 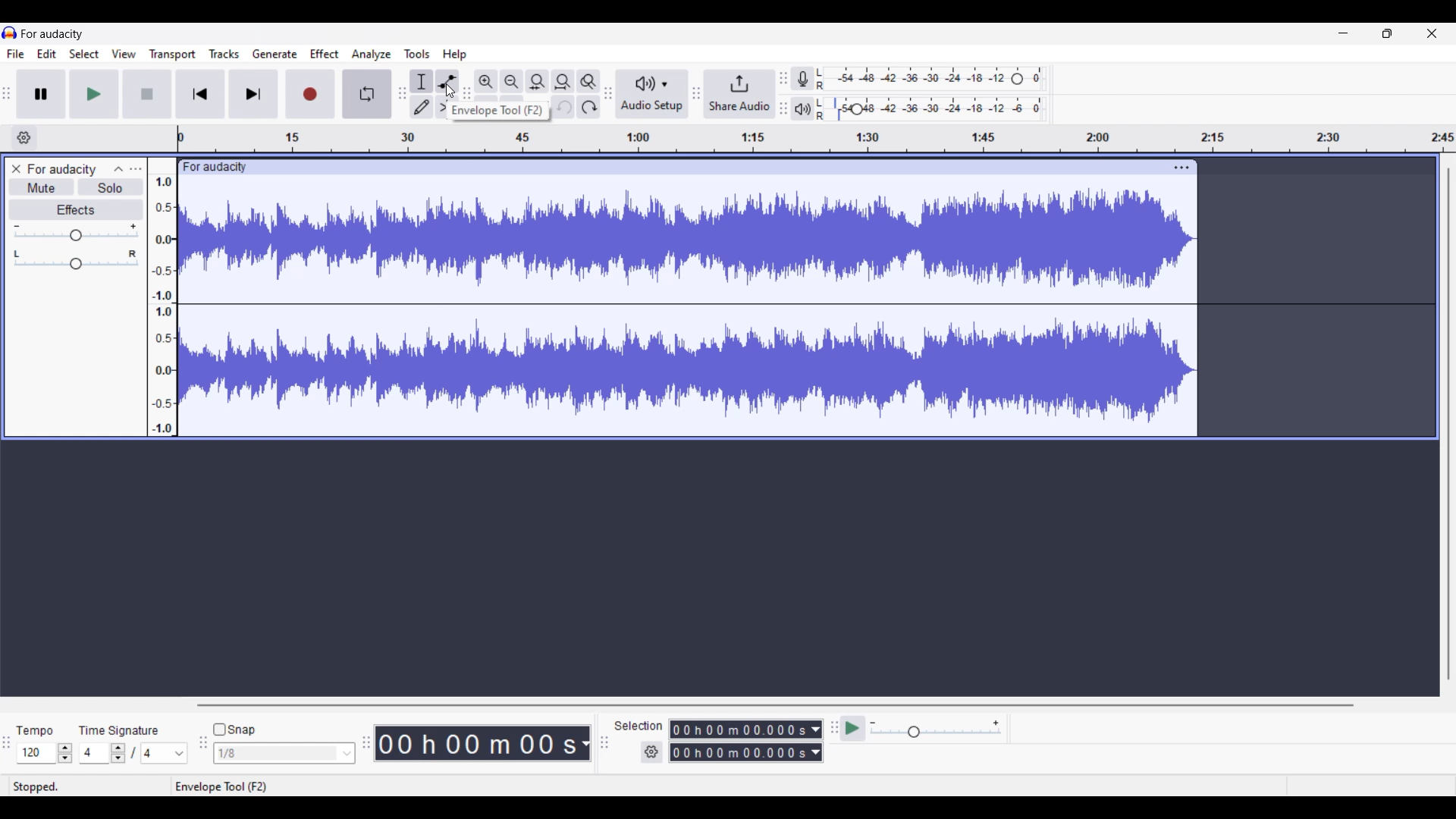 What do you see at coordinates (652, 94) in the screenshot?
I see `Audio setup` at bounding box center [652, 94].